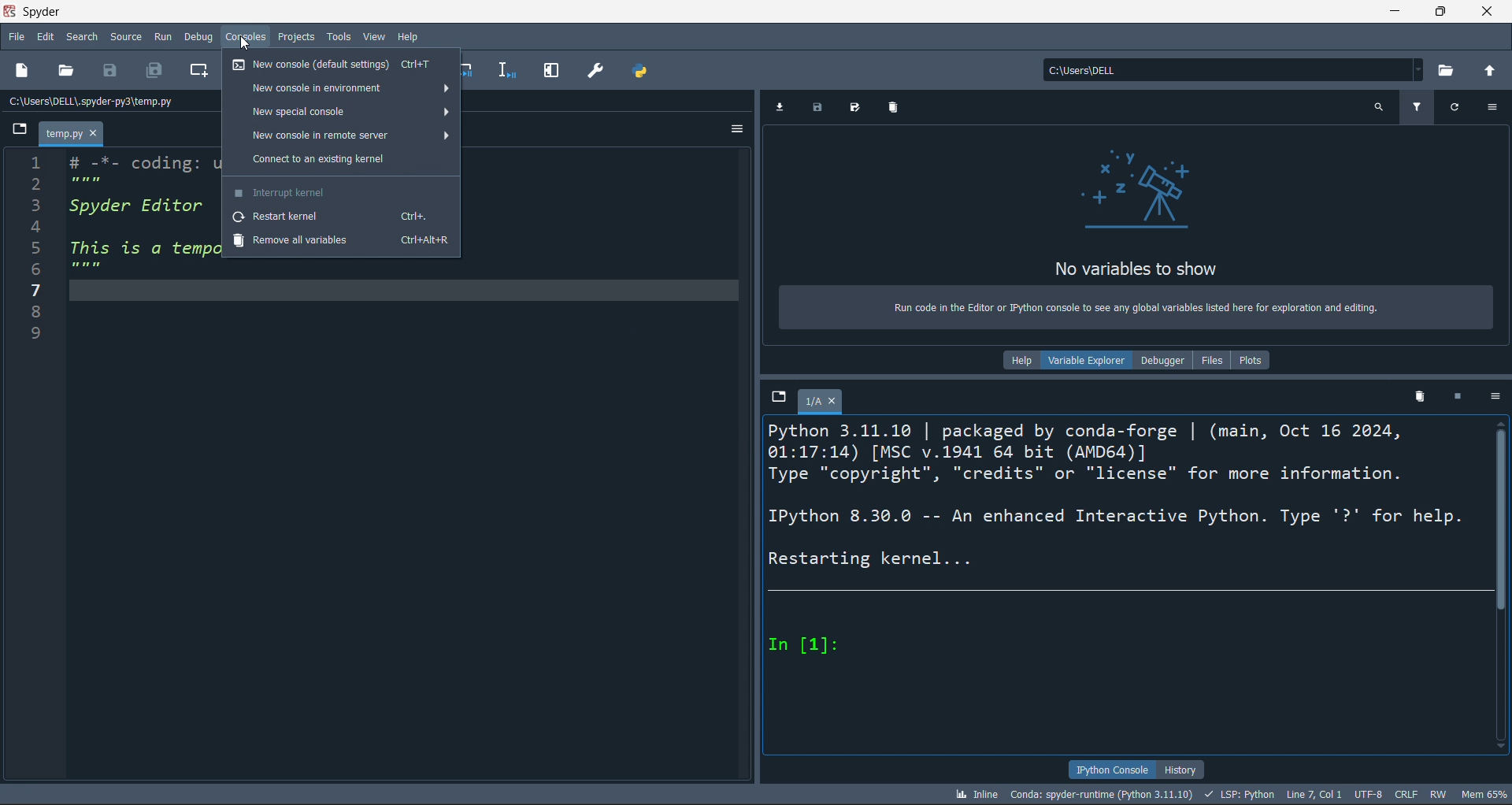 The width and height of the screenshot is (1512, 805). What do you see at coordinates (1239, 794) in the screenshot?
I see `LSP: python` at bounding box center [1239, 794].